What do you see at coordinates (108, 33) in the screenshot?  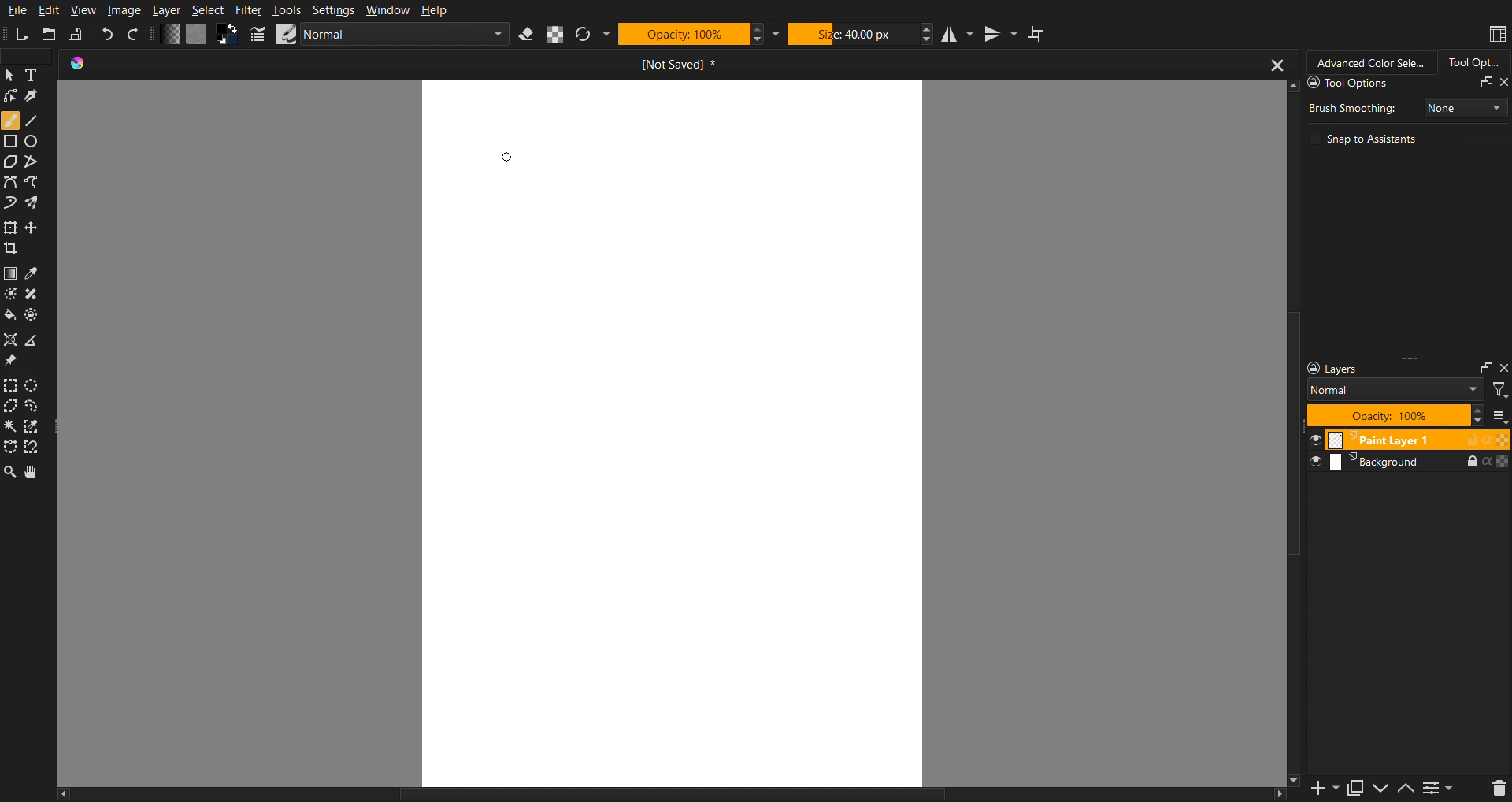 I see `Undo` at bounding box center [108, 33].